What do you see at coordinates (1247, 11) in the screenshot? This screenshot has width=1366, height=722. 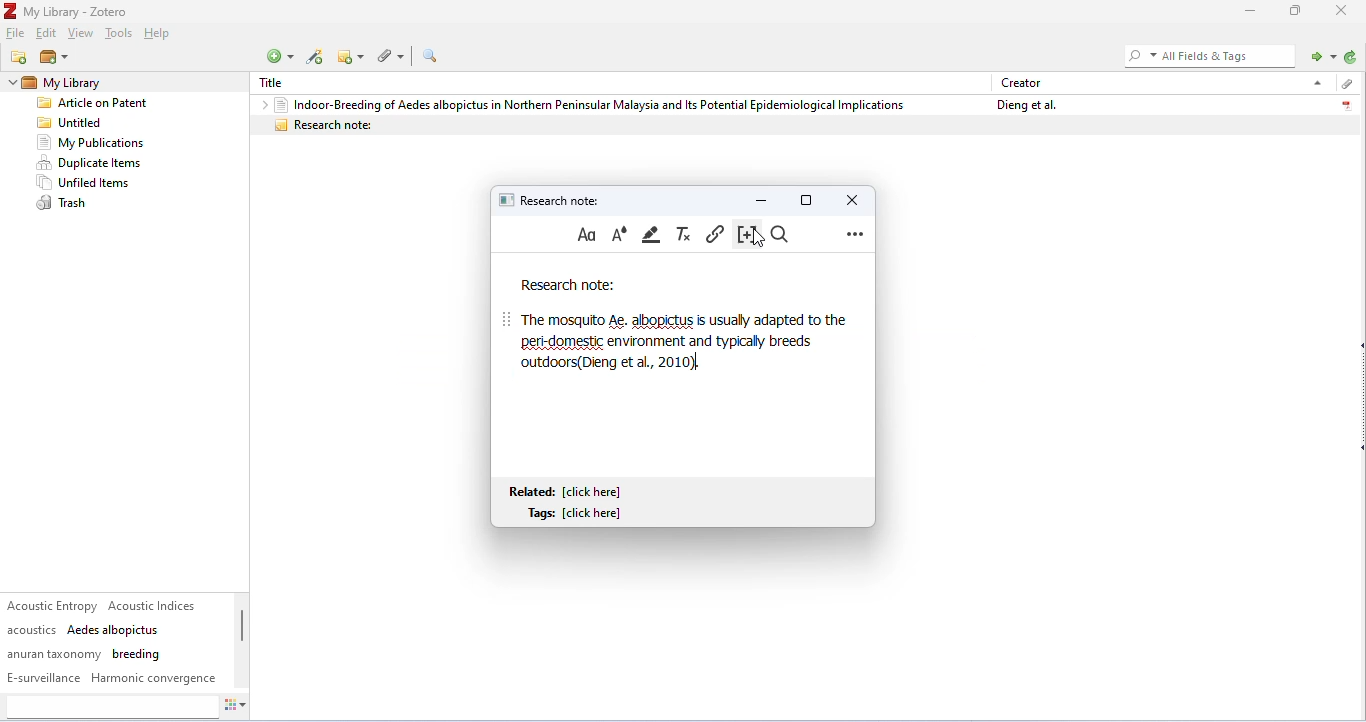 I see `minimize` at bounding box center [1247, 11].